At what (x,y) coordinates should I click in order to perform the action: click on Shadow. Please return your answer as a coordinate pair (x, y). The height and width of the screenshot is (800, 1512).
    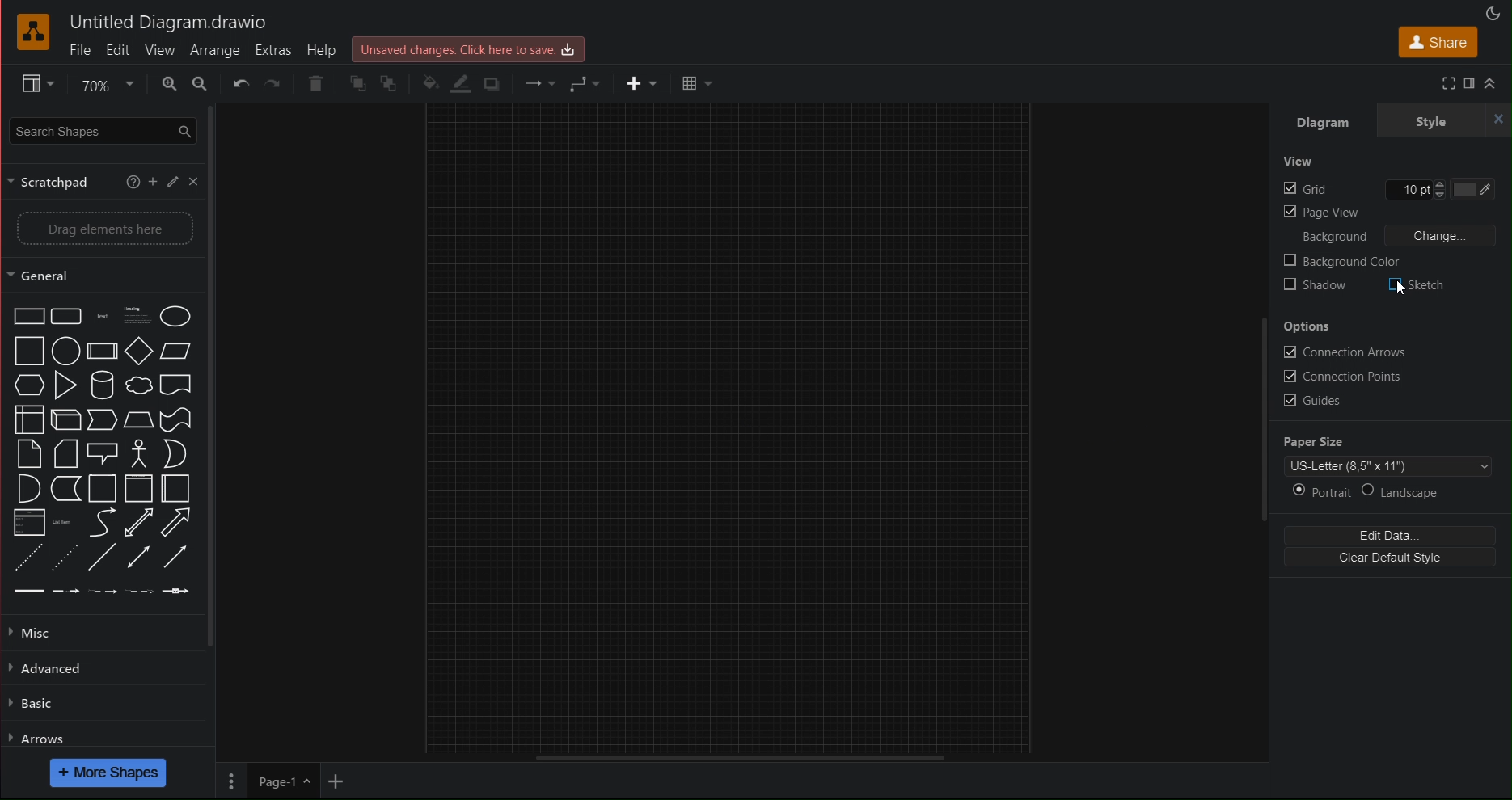
    Looking at the image, I should click on (489, 82).